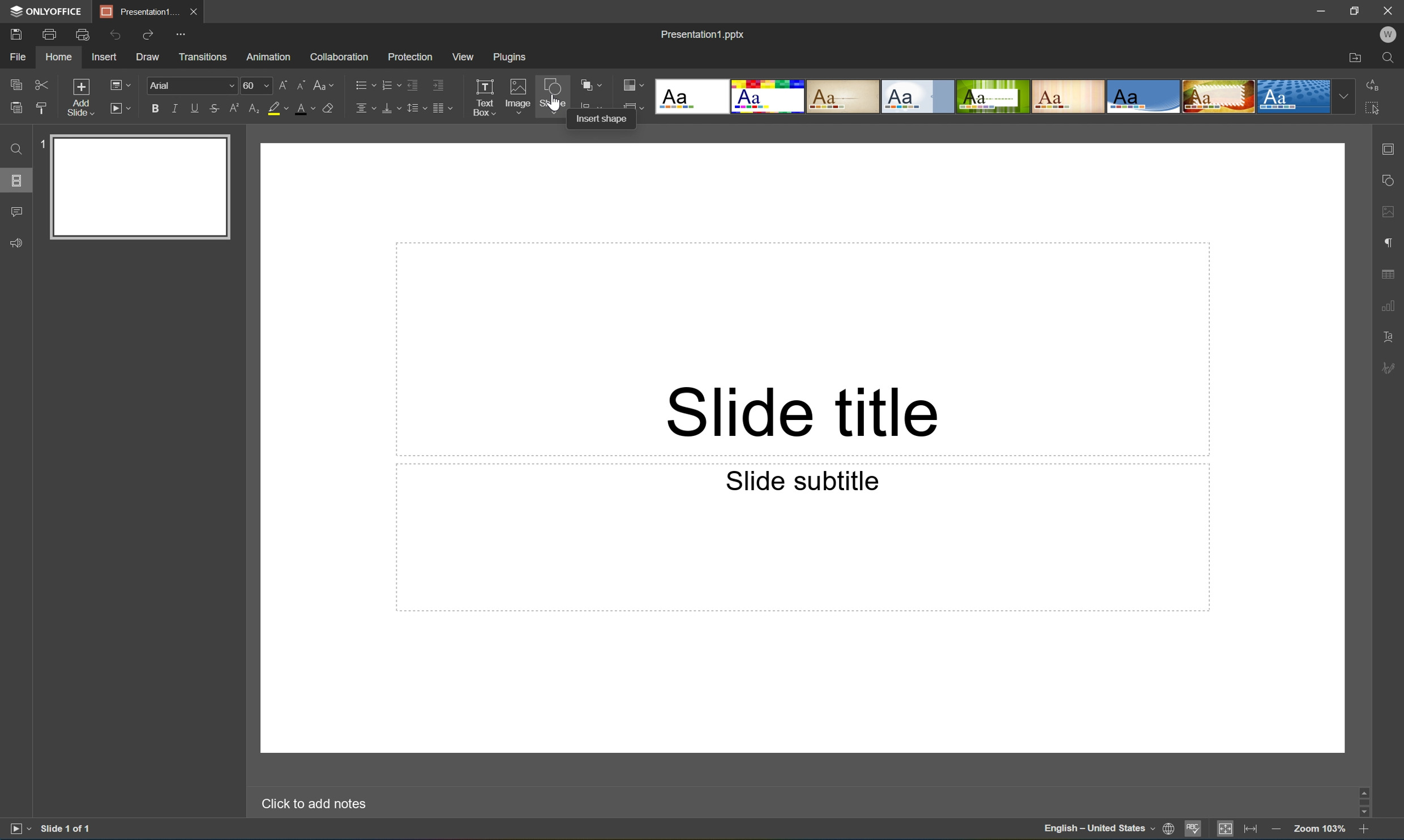 The width and height of the screenshot is (1404, 840). Describe the element at coordinates (1191, 832) in the screenshot. I see `Spell checking` at that location.